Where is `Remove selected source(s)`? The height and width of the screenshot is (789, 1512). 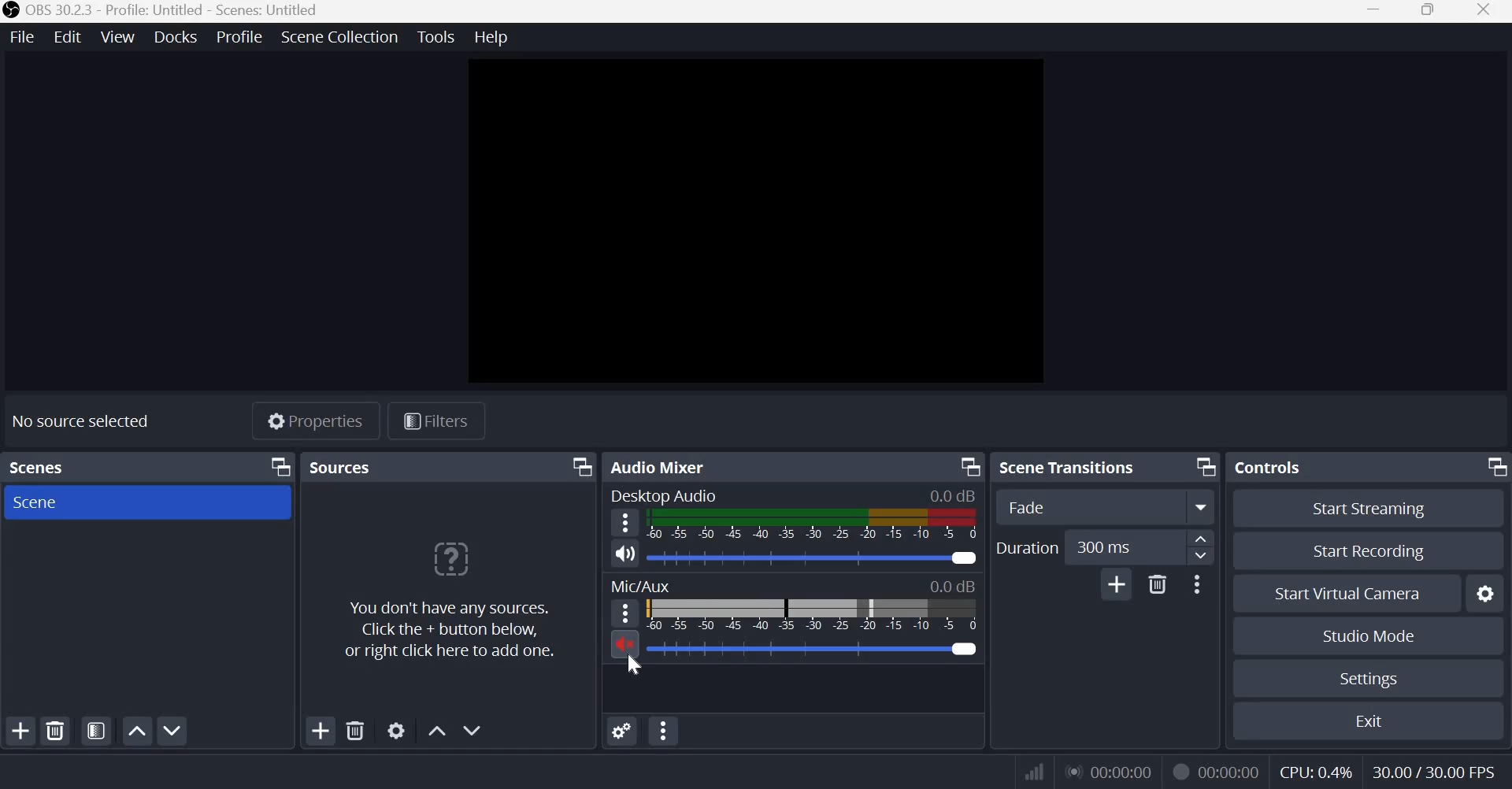
Remove selected source(s) is located at coordinates (357, 731).